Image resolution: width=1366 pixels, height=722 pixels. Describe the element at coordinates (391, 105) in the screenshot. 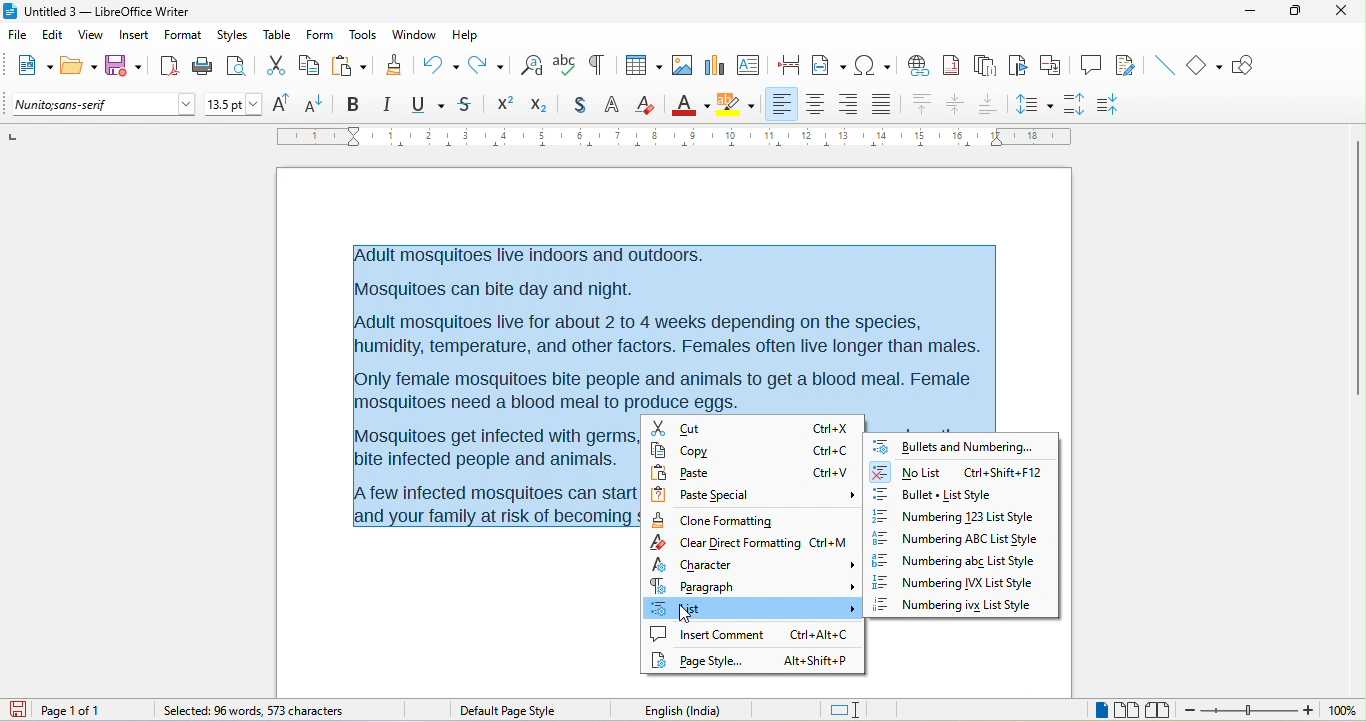

I see `italic` at that location.